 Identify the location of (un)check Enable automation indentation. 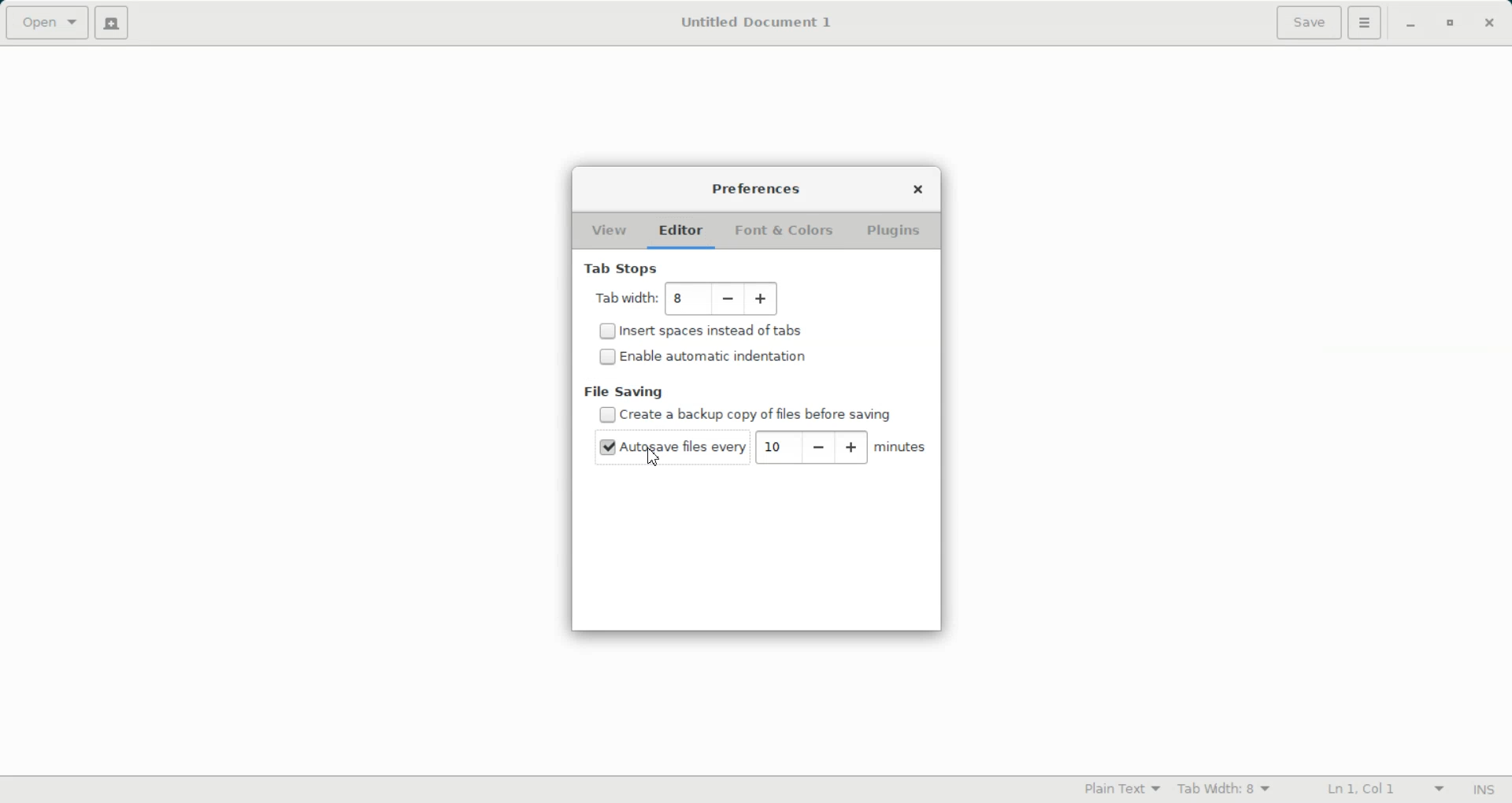
(702, 356).